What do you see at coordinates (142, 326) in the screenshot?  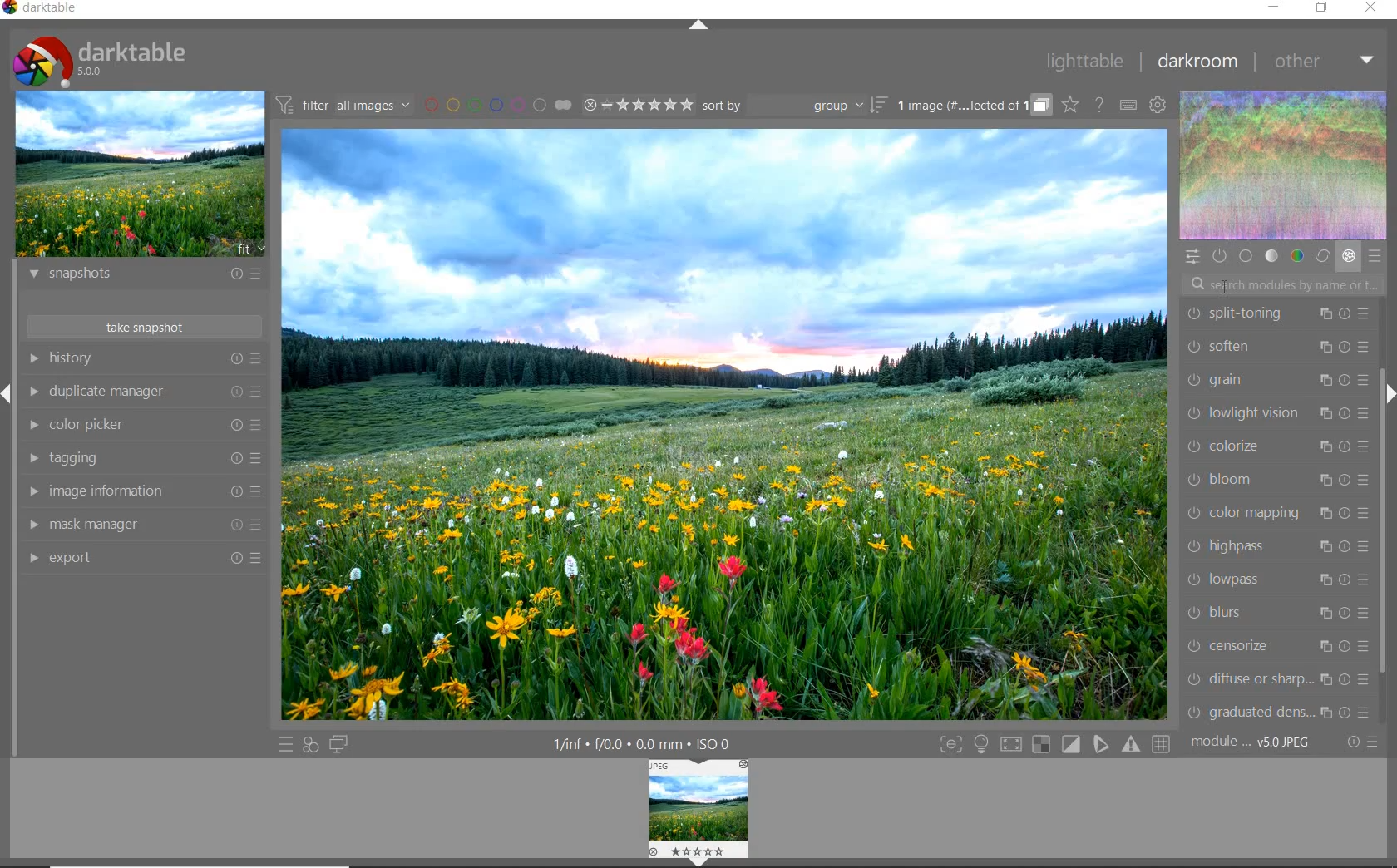 I see `take snapshots` at bounding box center [142, 326].